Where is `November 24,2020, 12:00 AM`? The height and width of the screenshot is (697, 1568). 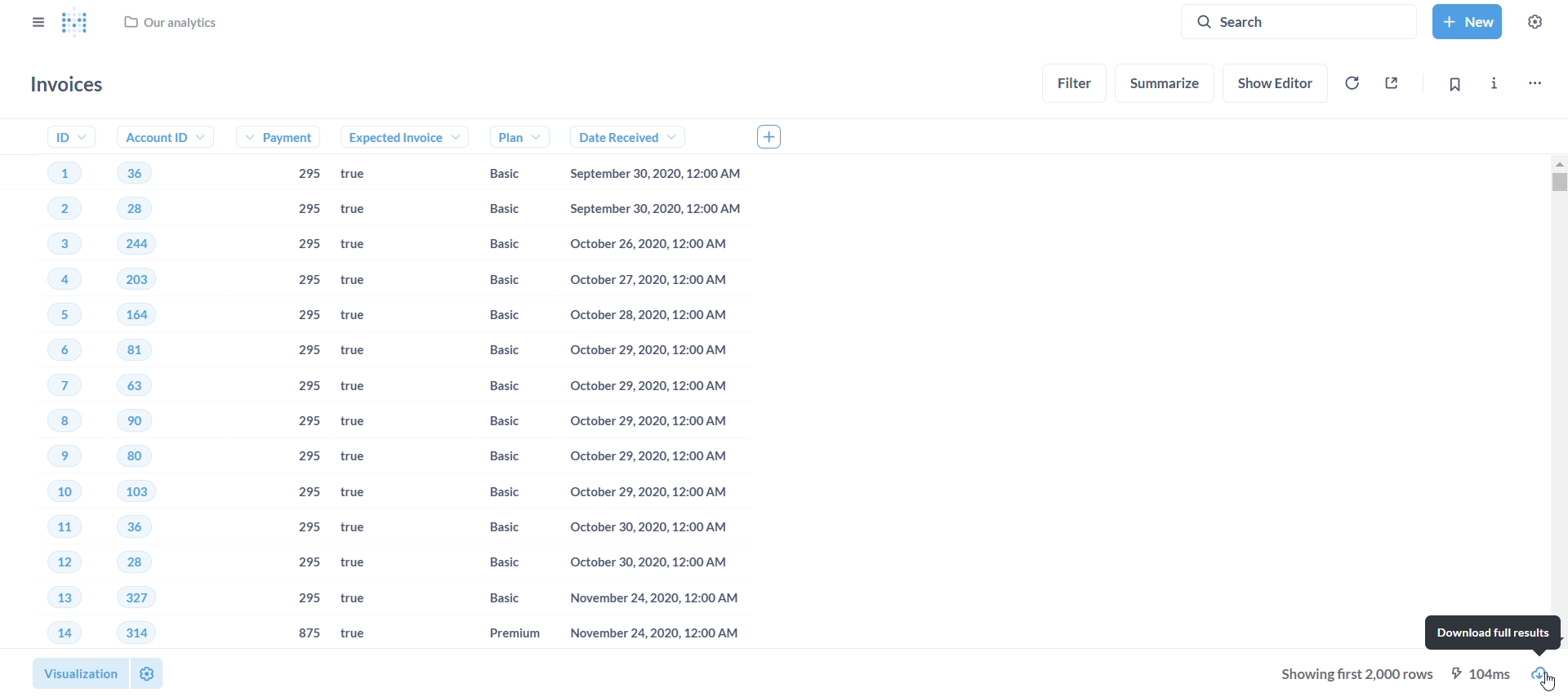 November 24,2020, 12:00 AM is located at coordinates (644, 600).